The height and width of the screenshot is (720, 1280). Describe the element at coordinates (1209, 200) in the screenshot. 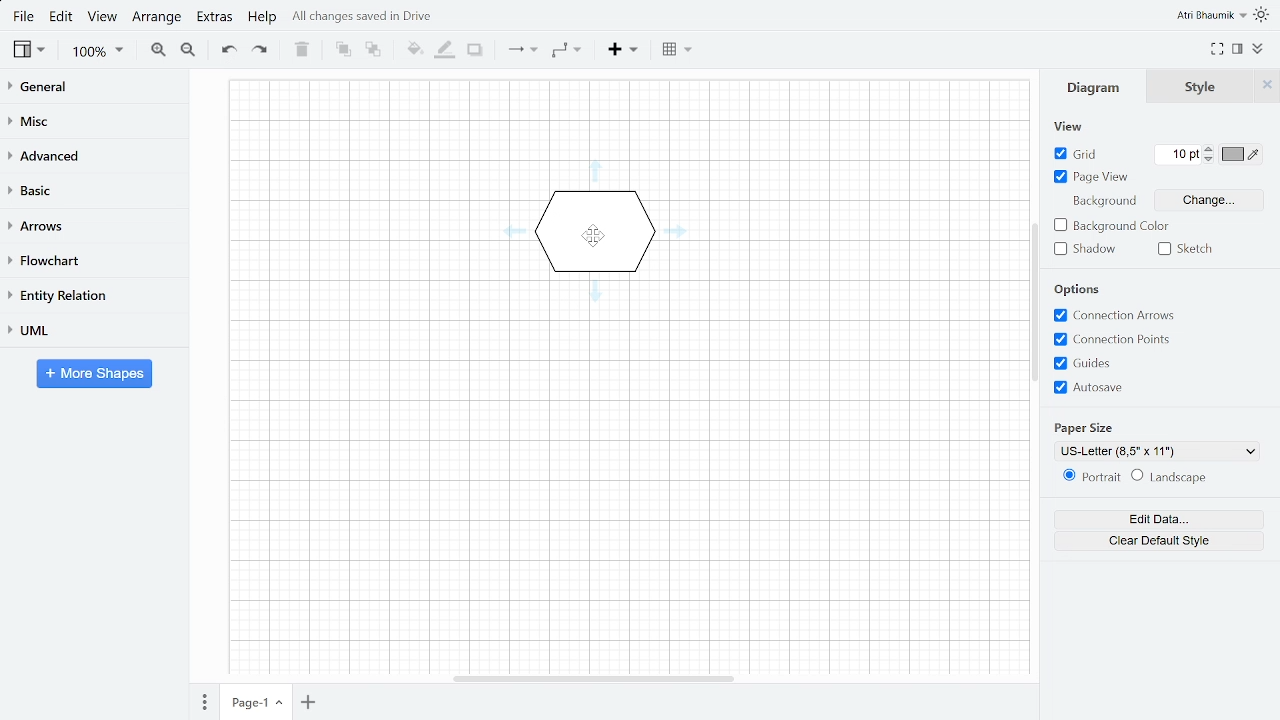

I see `Change background` at that location.